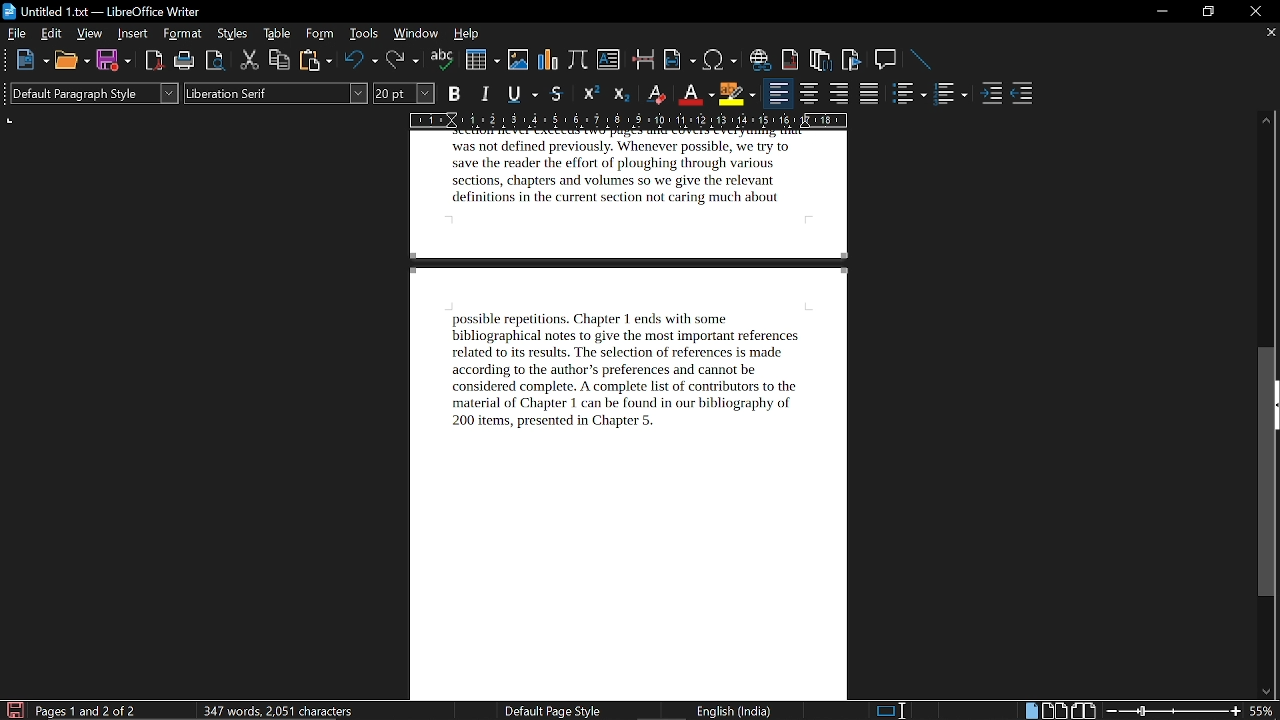 This screenshot has height=720, width=1280. Describe the element at coordinates (694, 93) in the screenshot. I see `font color` at that location.